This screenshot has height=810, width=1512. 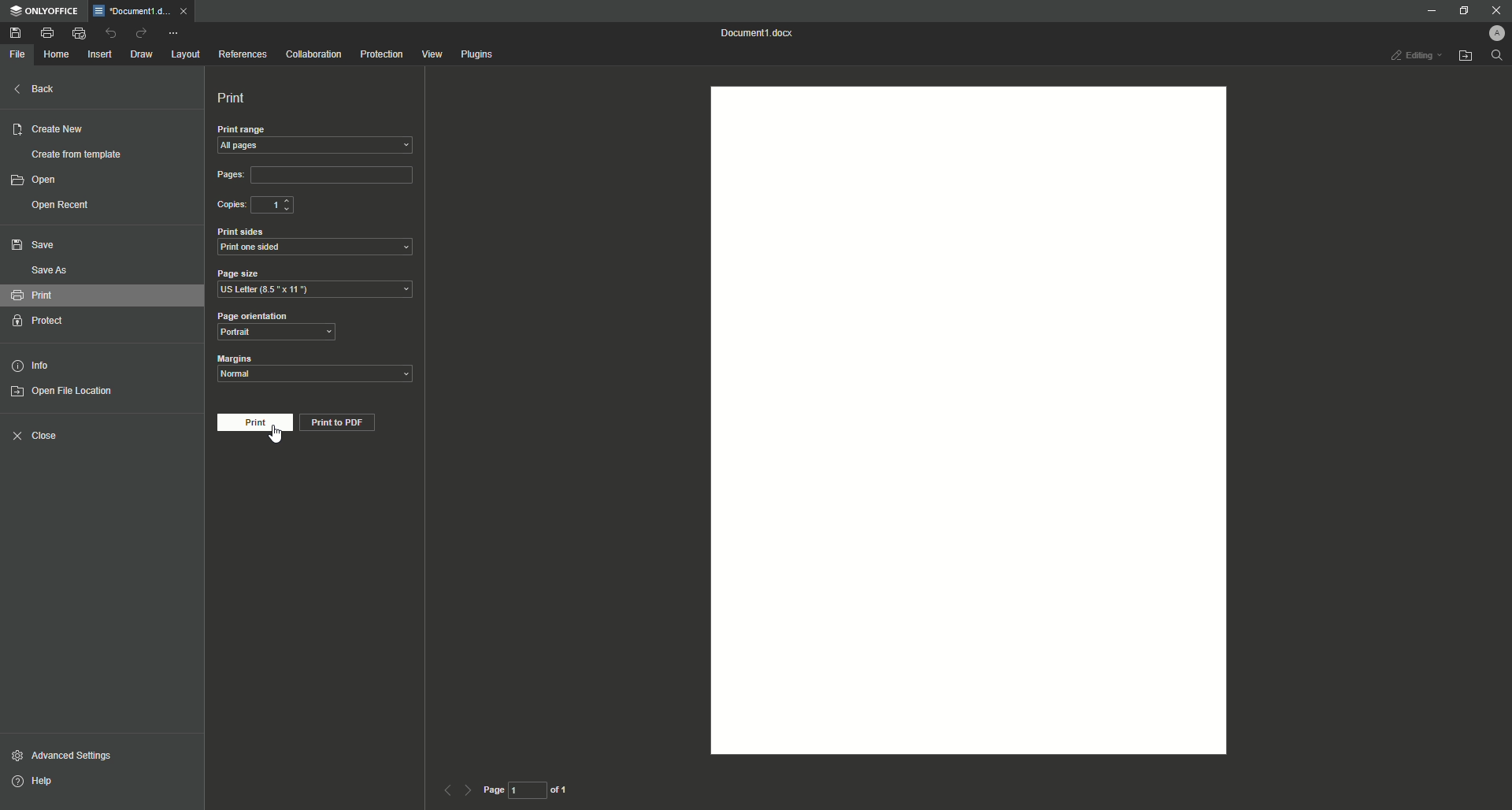 What do you see at coordinates (254, 423) in the screenshot?
I see `Print` at bounding box center [254, 423].